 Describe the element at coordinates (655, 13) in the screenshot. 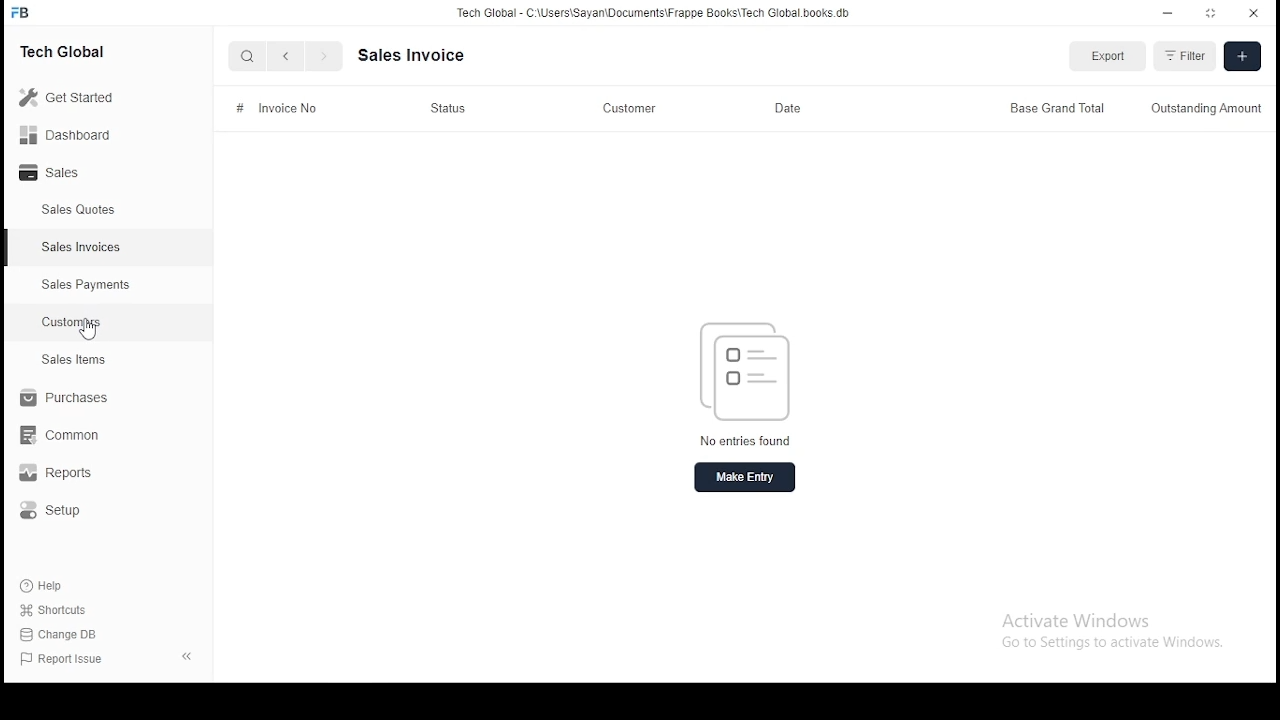

I see `tech global - C:\users\sayan\documents\frappeboks\techgobalbooks.db` at that location.